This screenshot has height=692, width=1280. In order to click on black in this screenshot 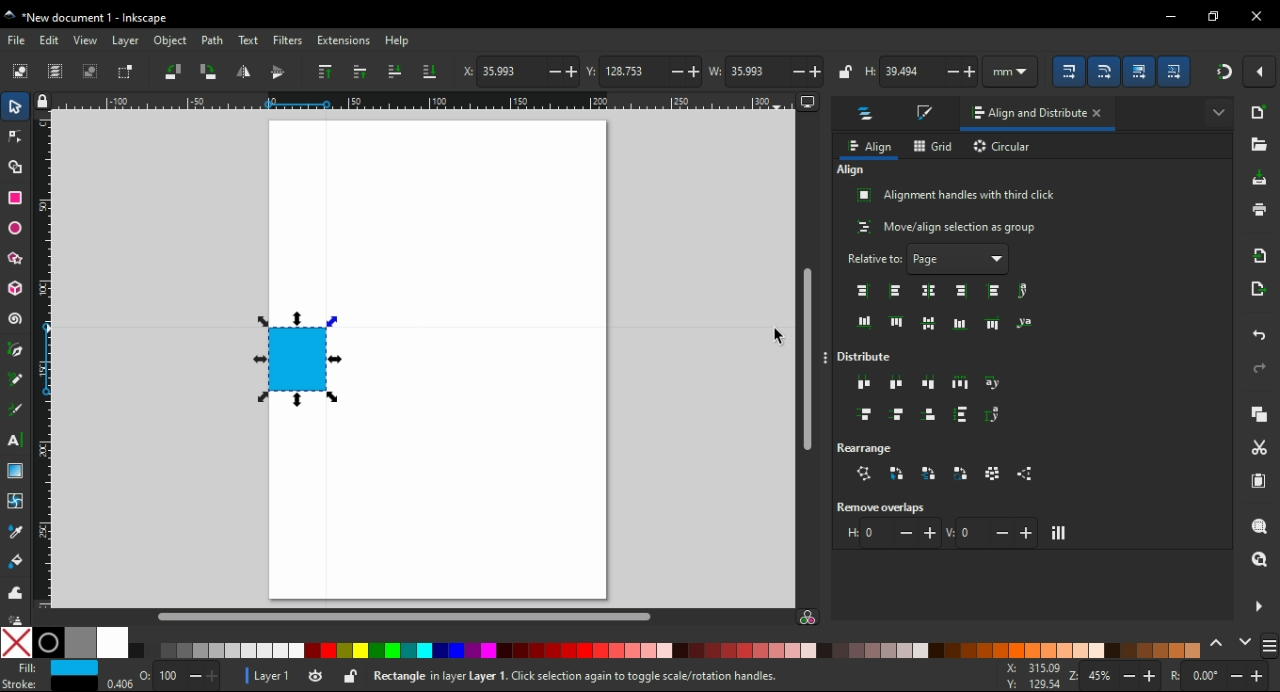, I will do `click(48, 643)`.